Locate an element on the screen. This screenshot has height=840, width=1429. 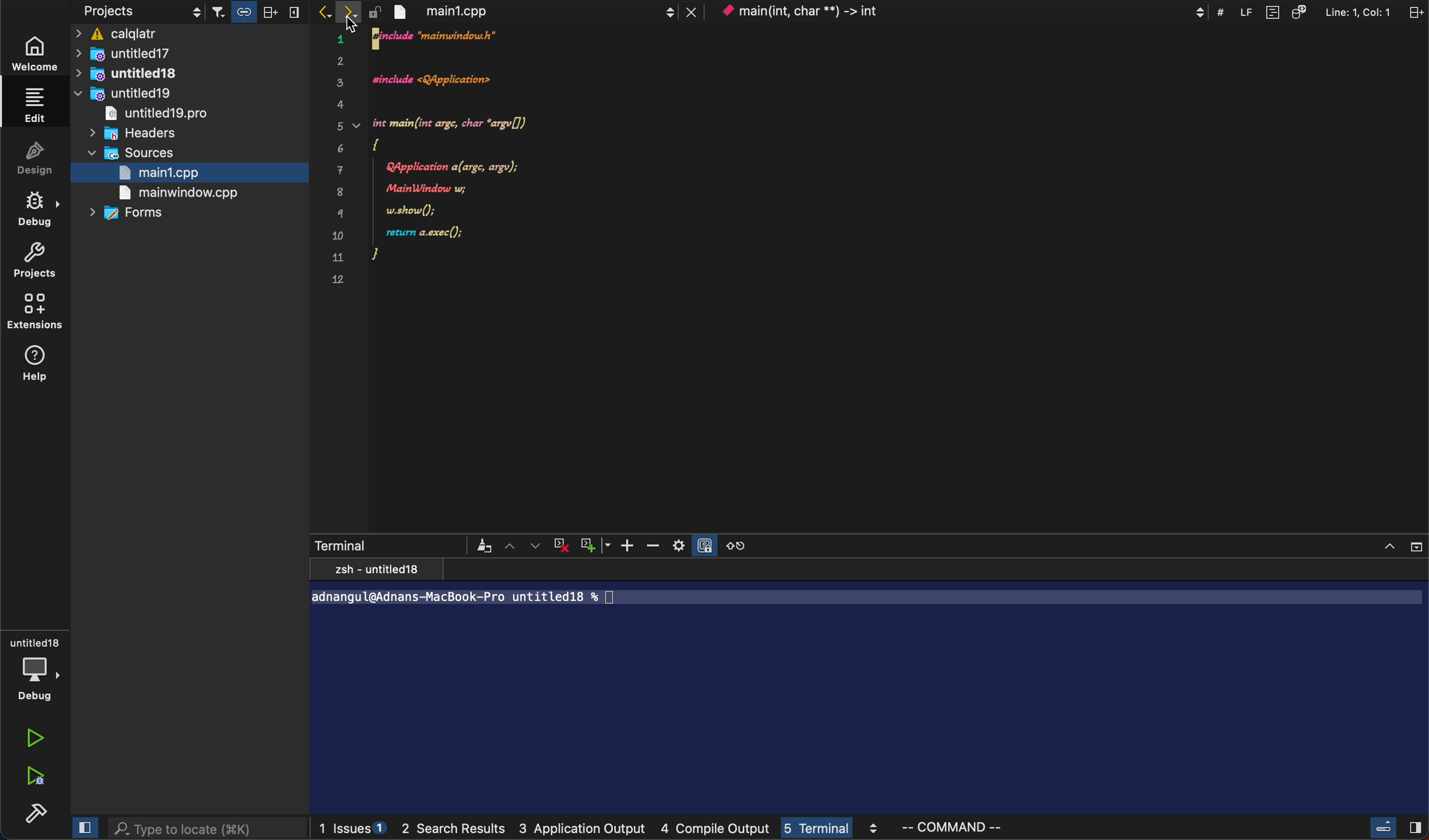
Delete Terminal is located at coordinates (563, 547).